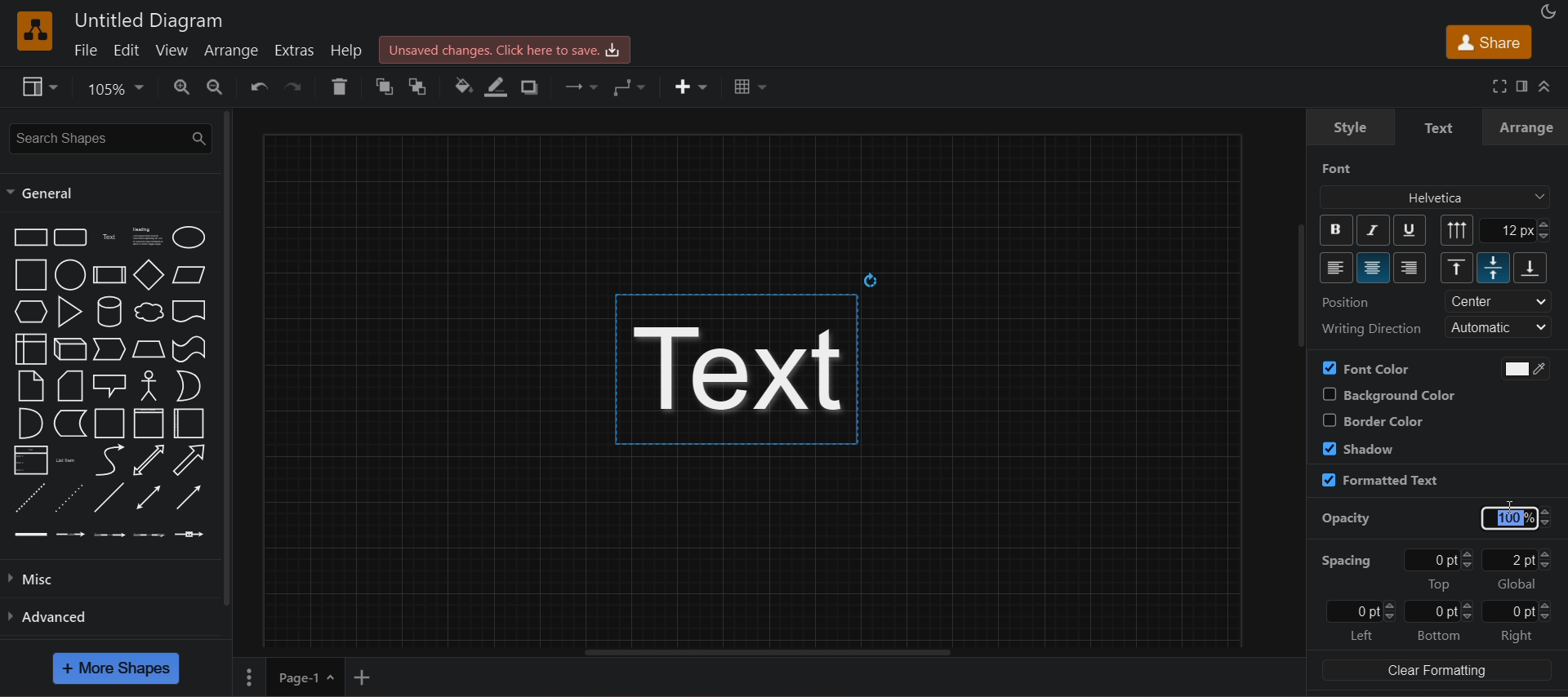  Describe the element at coordinates (29, 237) in the screenshot. I see `rectangle` at that location.